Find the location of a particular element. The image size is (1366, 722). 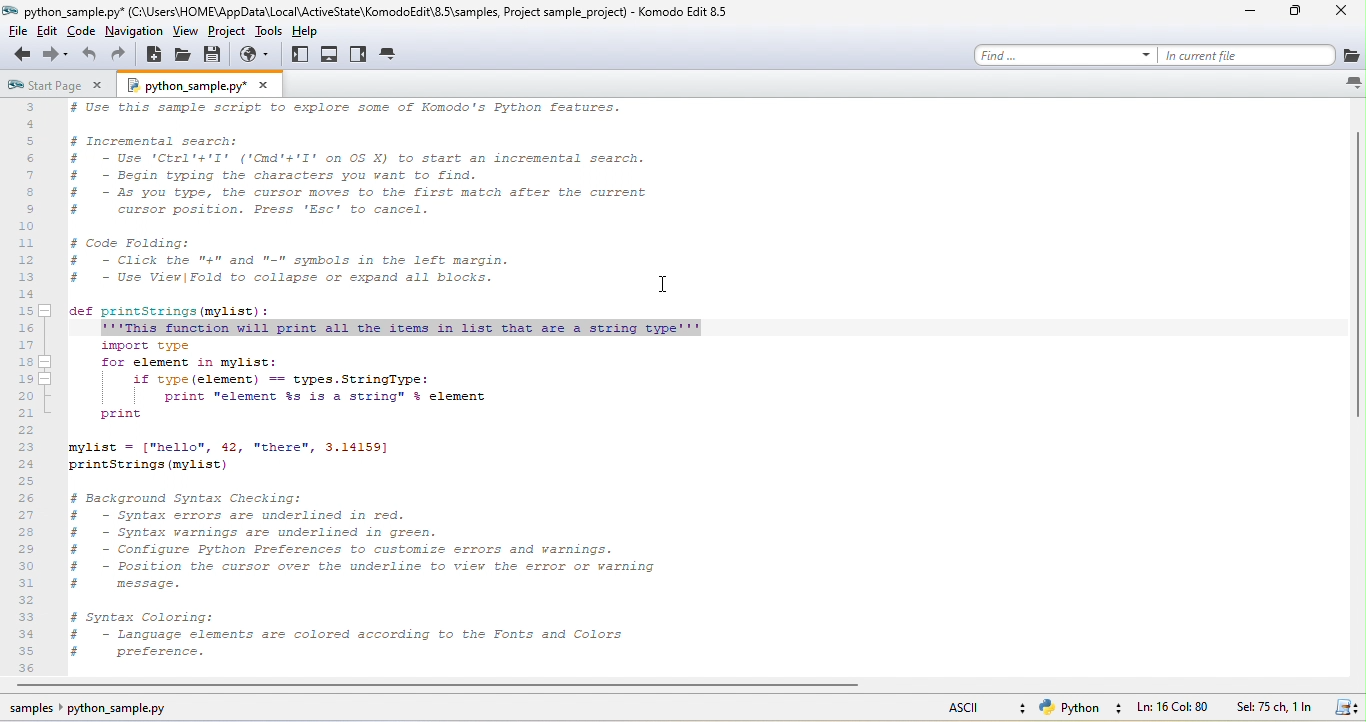

file is located at coordinates (17, 32).